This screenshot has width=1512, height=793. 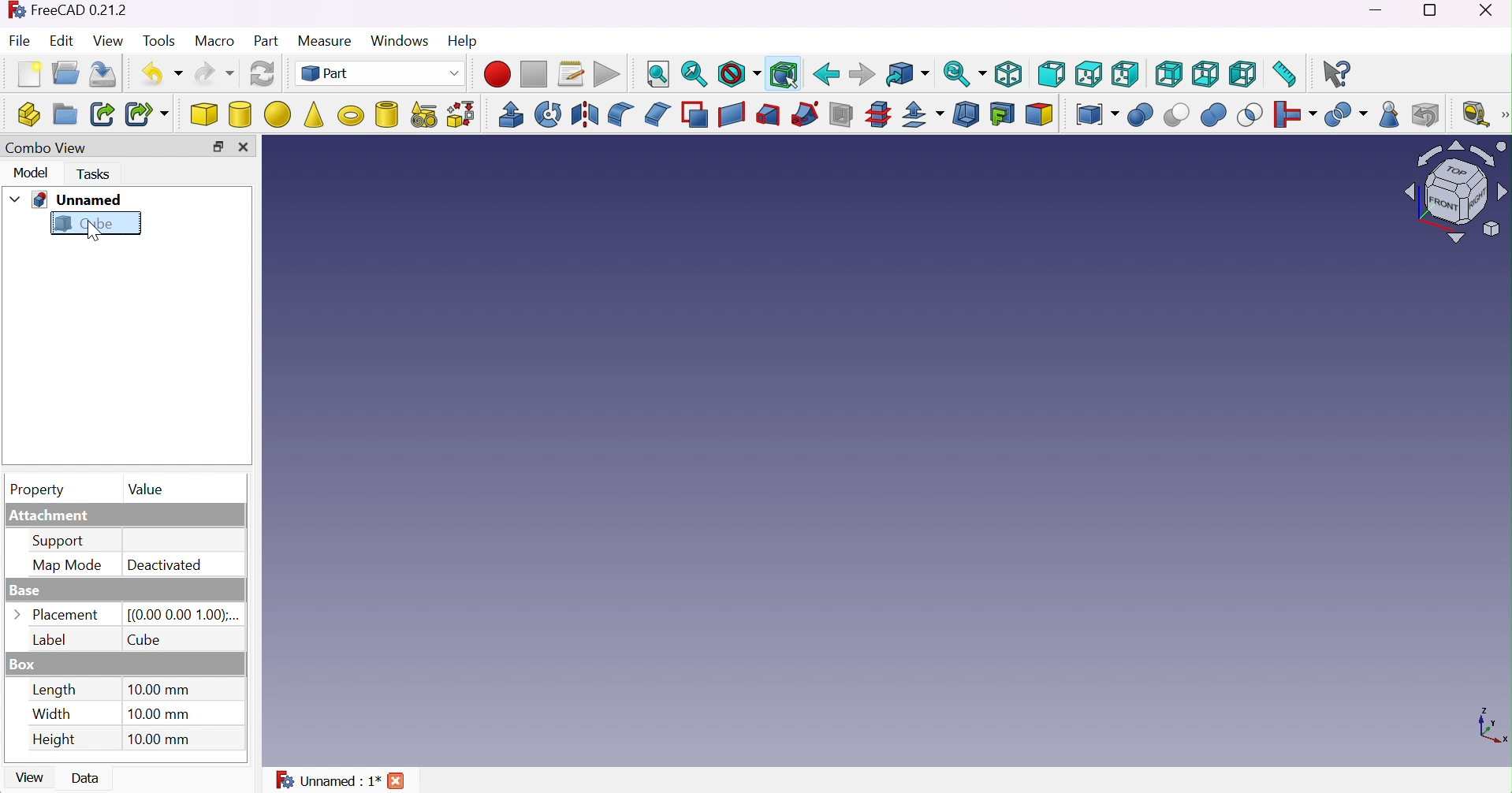 What do you see at coordinates (426, 117) in the screenshot?
I see `Create primitives` at bounding box center [426, 117].